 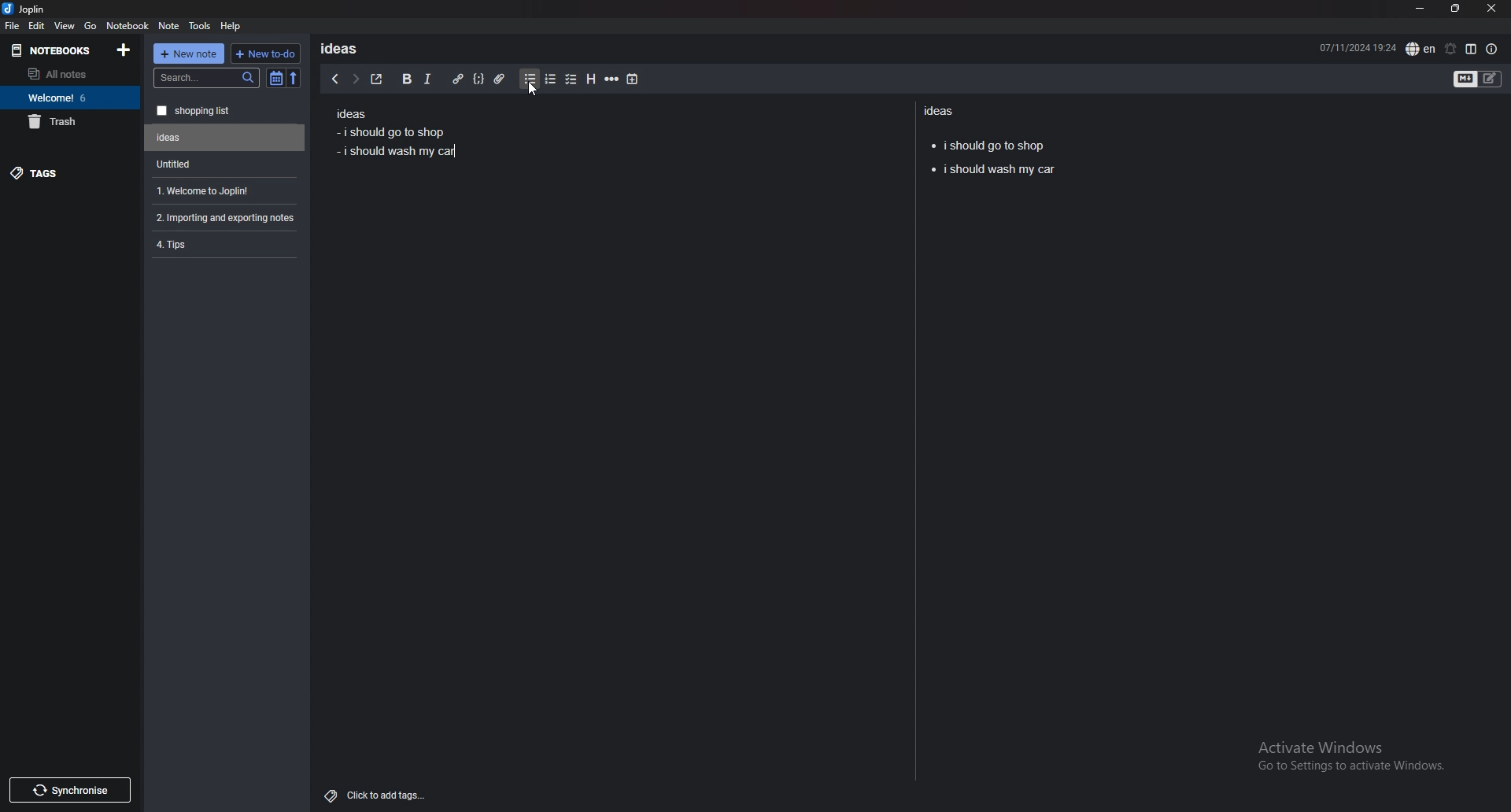 I want to click on numbered list, so click(x=549, y=79).